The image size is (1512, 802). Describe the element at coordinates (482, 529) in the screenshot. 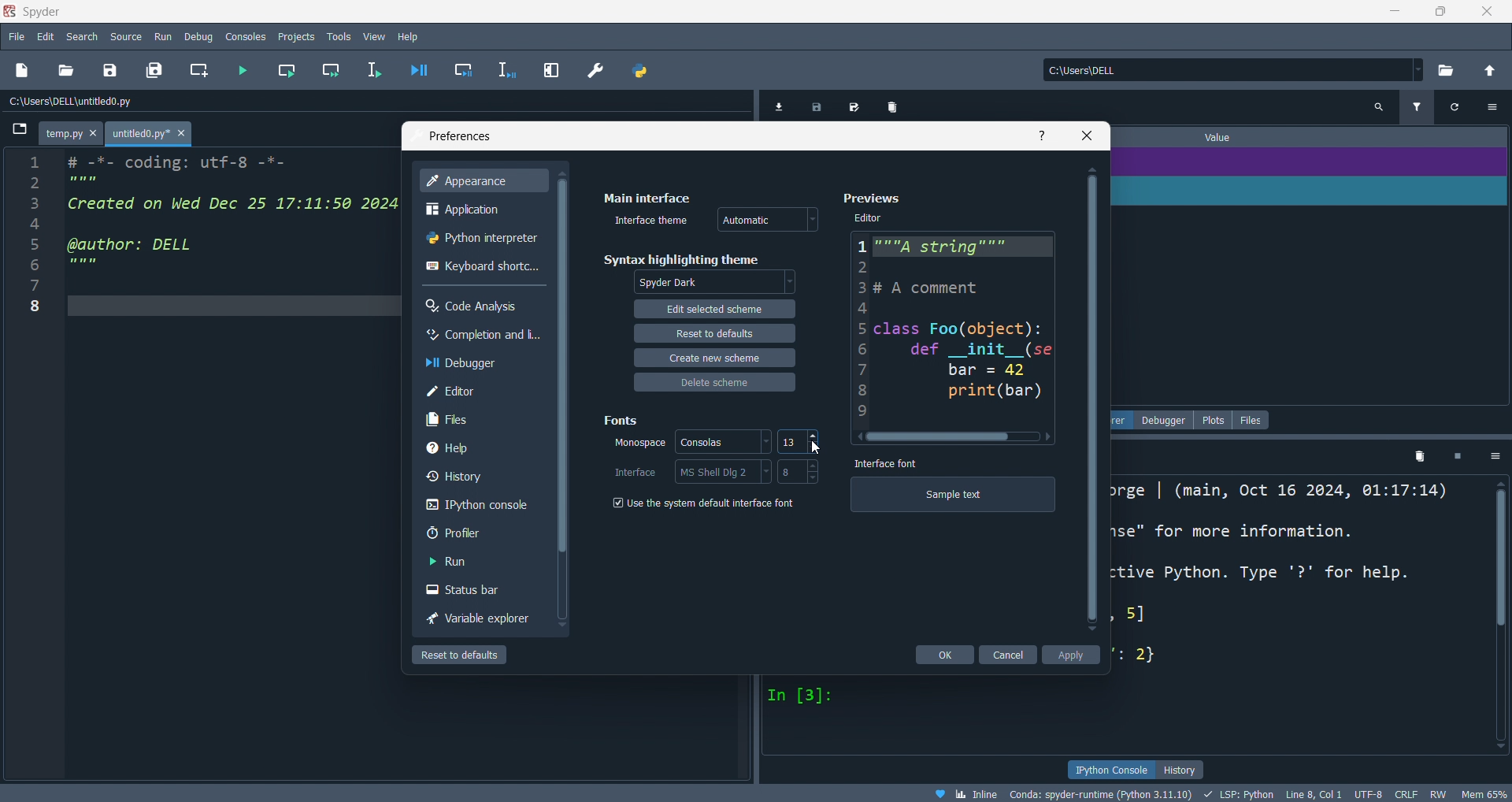

I see `profiler` at that location.